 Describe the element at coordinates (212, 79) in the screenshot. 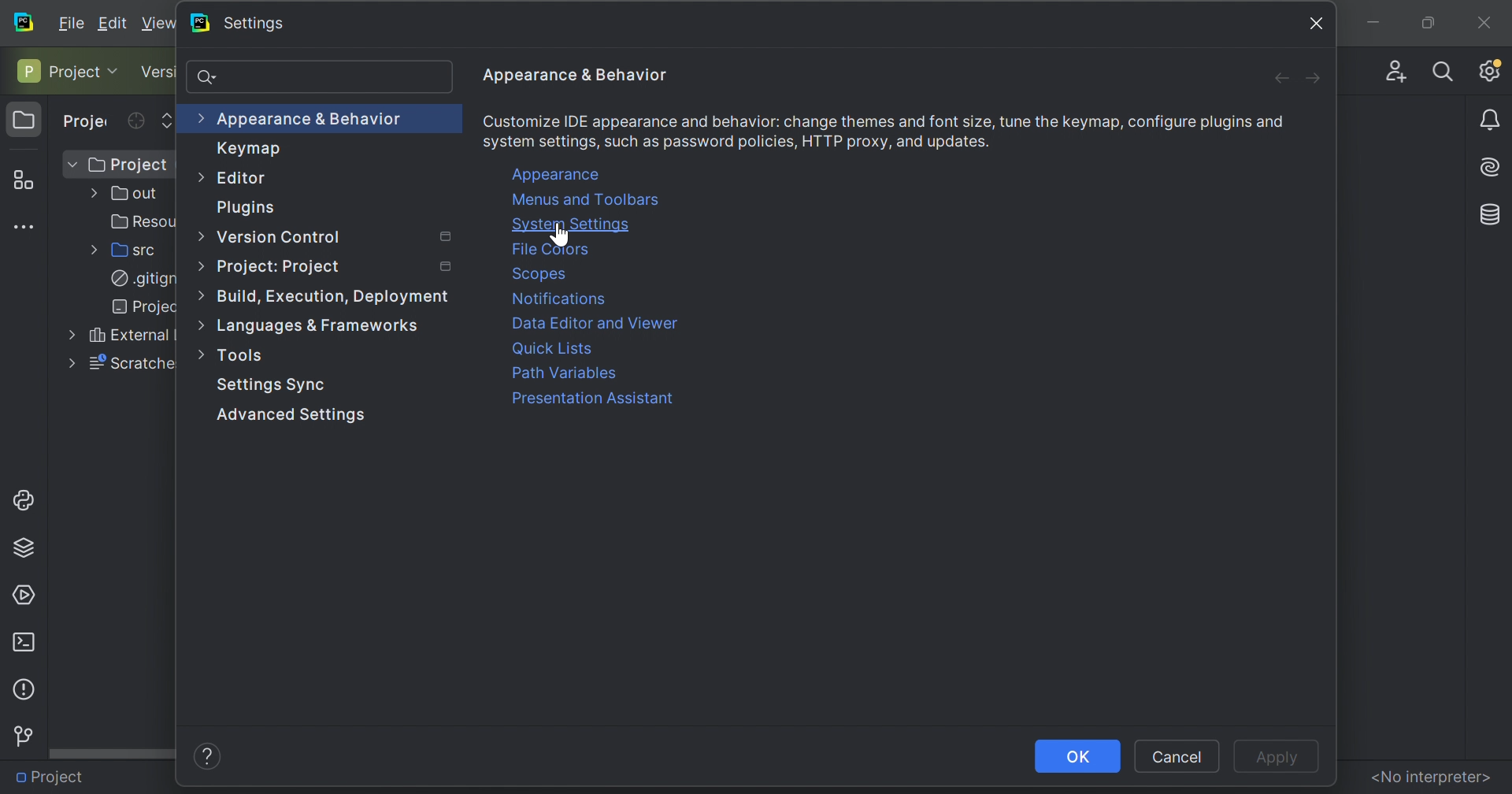

I see `Search` at that location.